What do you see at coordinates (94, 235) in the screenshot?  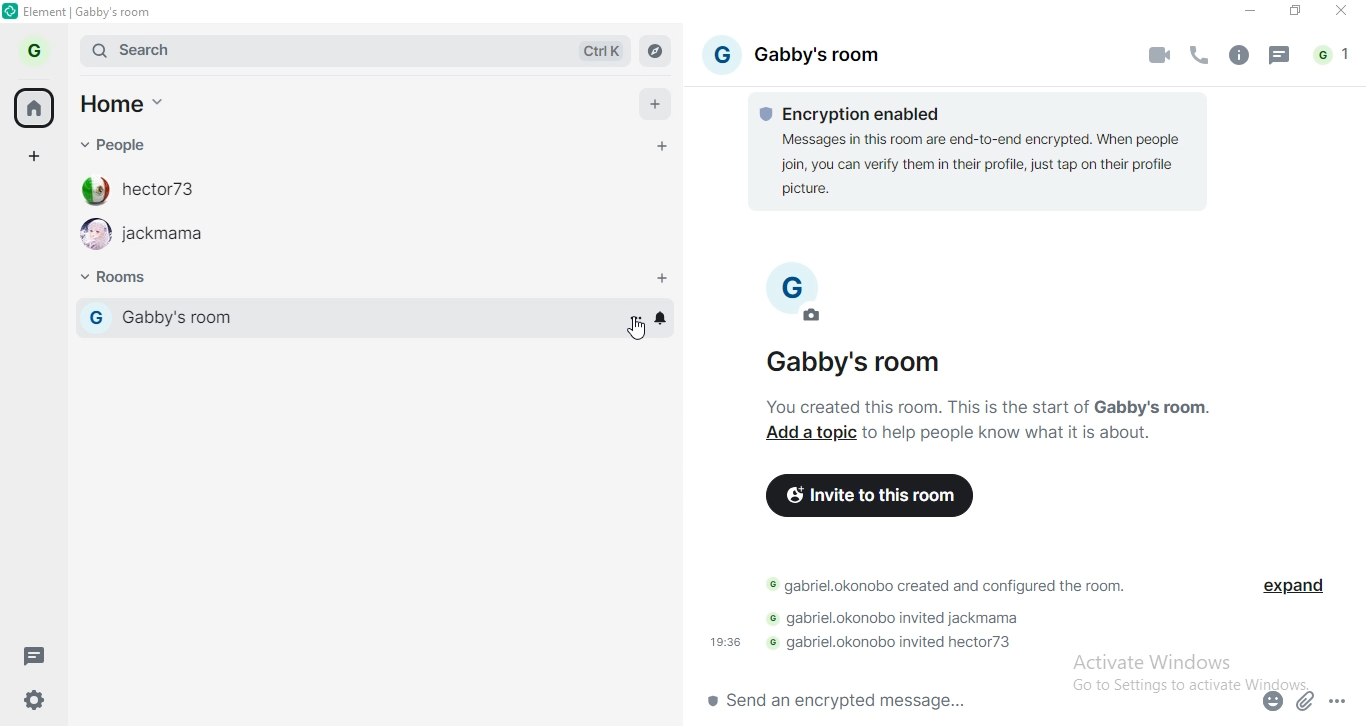 I see `profile image` at bounding box center [94, 235].